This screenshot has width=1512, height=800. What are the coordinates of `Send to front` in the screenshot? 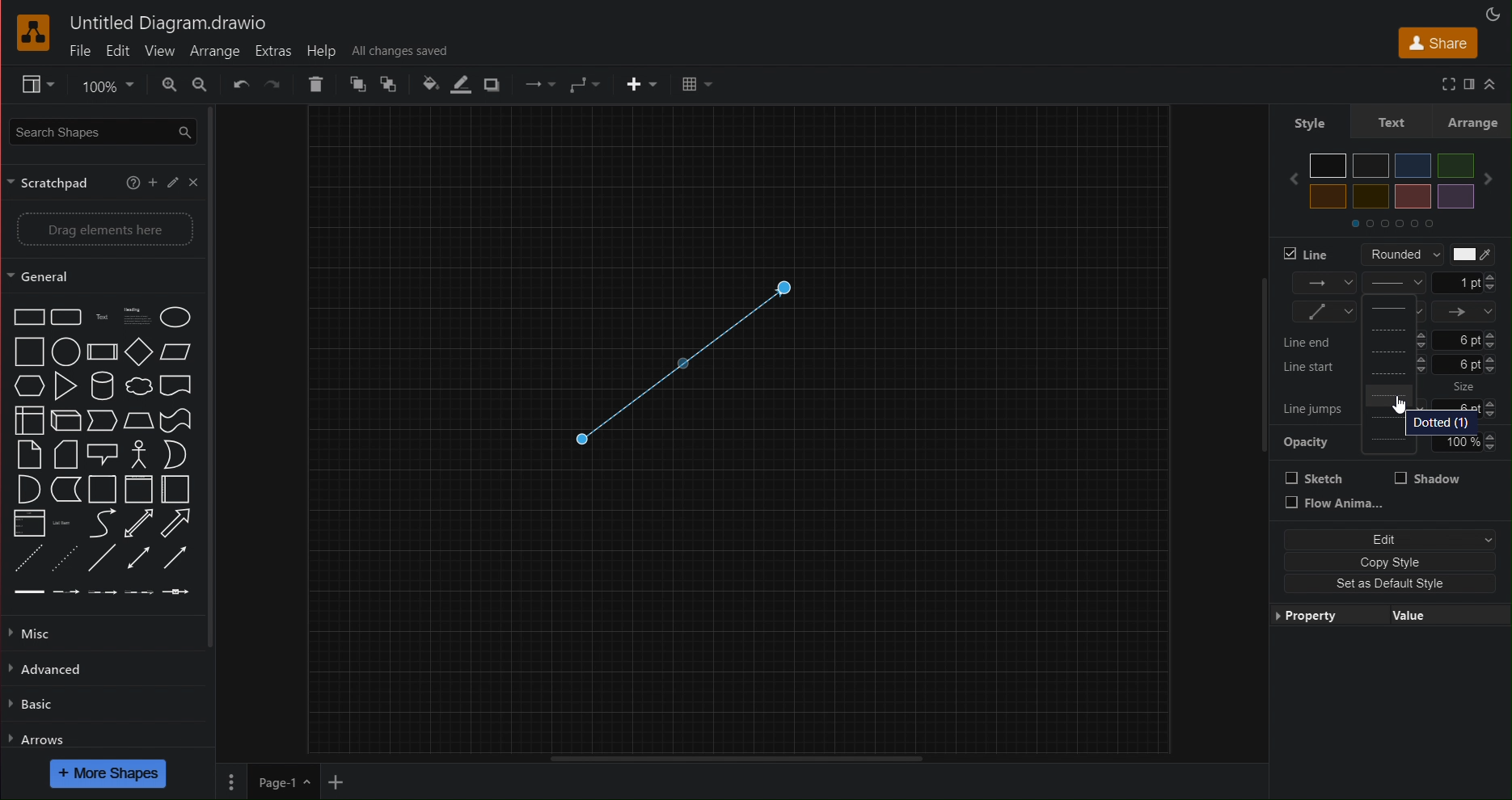 It's located at (357, 84).